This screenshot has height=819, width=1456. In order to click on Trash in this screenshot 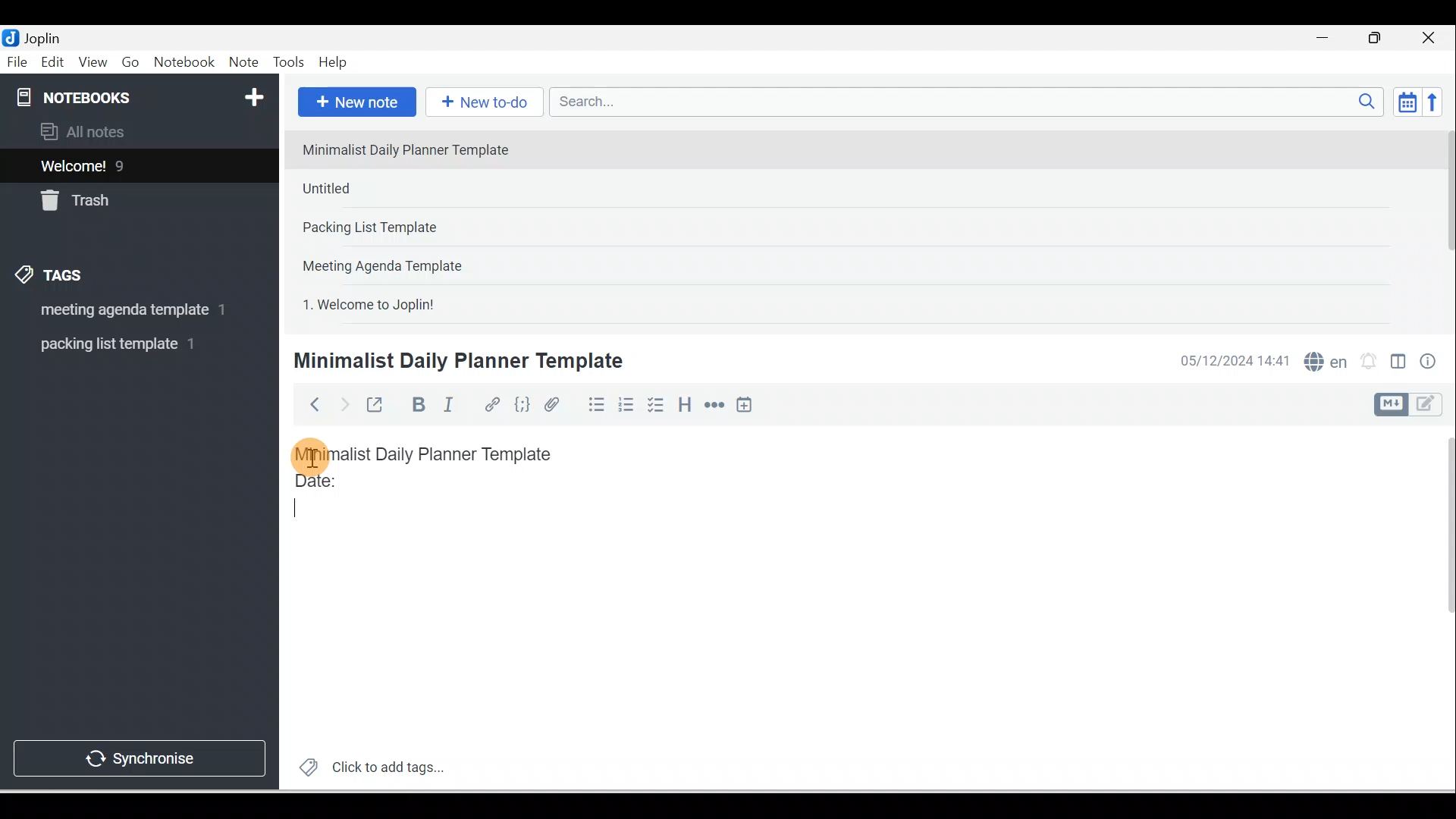, I will do `click(111, 196)`.